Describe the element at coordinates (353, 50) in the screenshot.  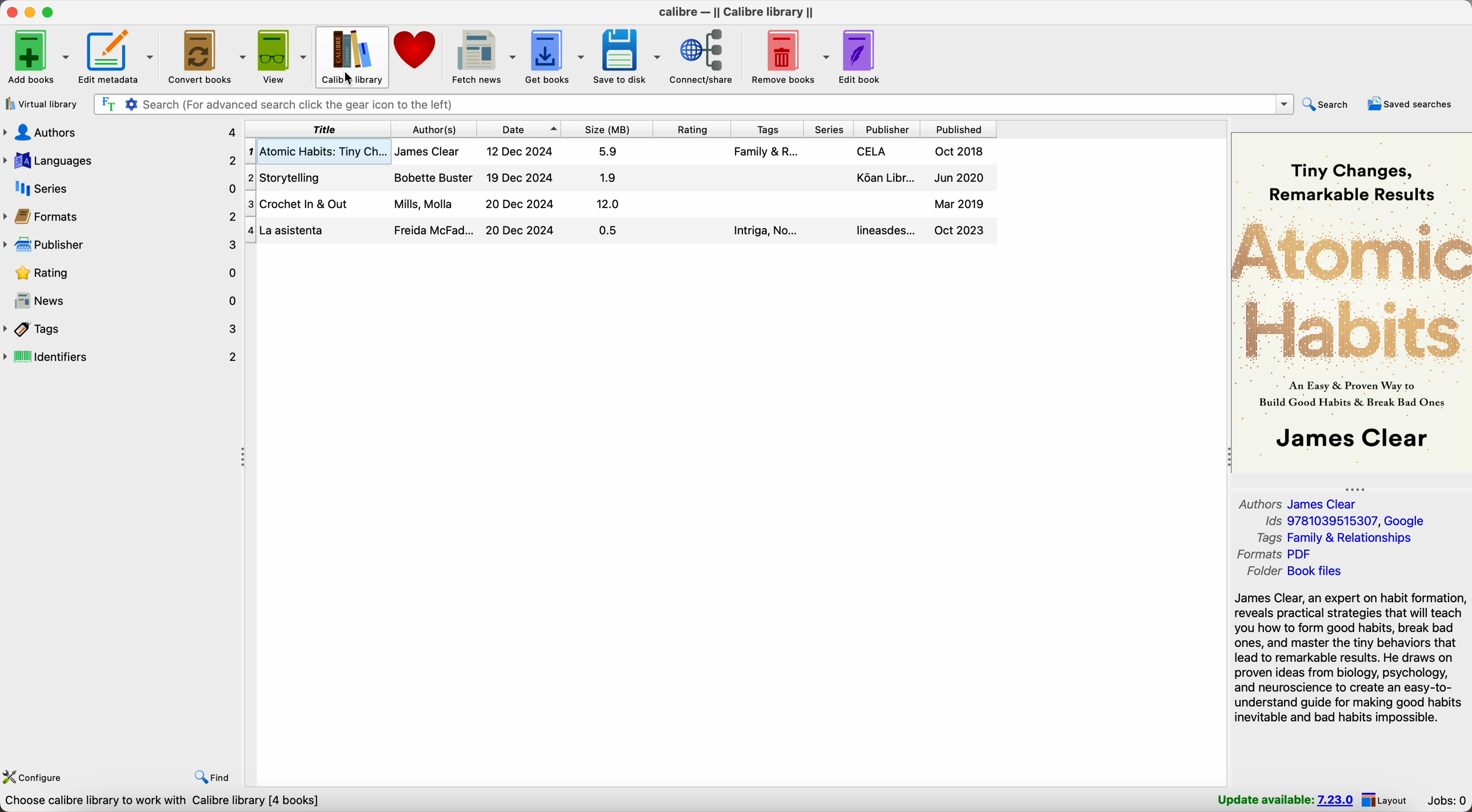
I see `Calibre library` at that location.